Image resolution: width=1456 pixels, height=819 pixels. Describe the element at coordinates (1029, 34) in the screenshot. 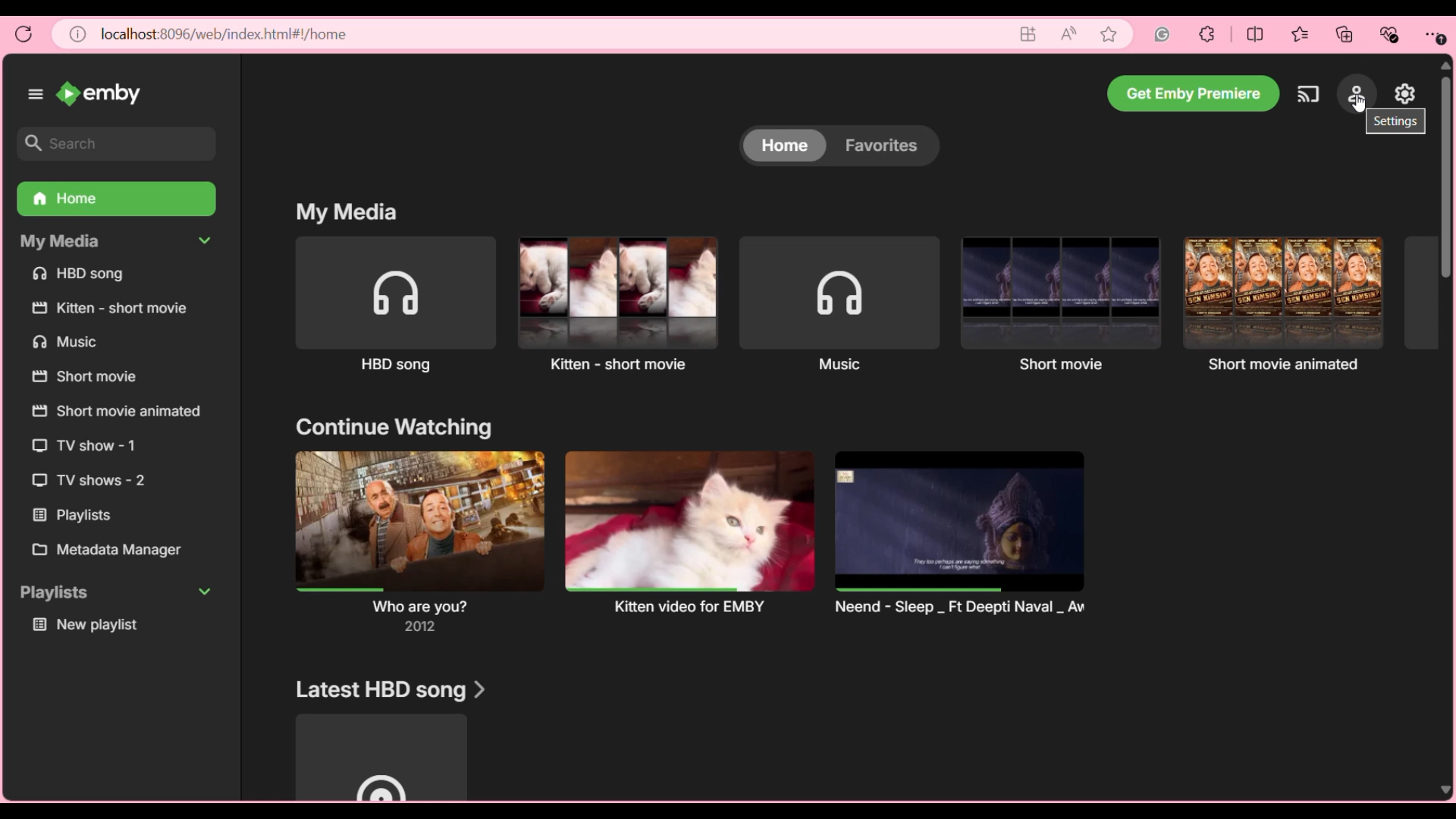

I see `Go to app` at that location.